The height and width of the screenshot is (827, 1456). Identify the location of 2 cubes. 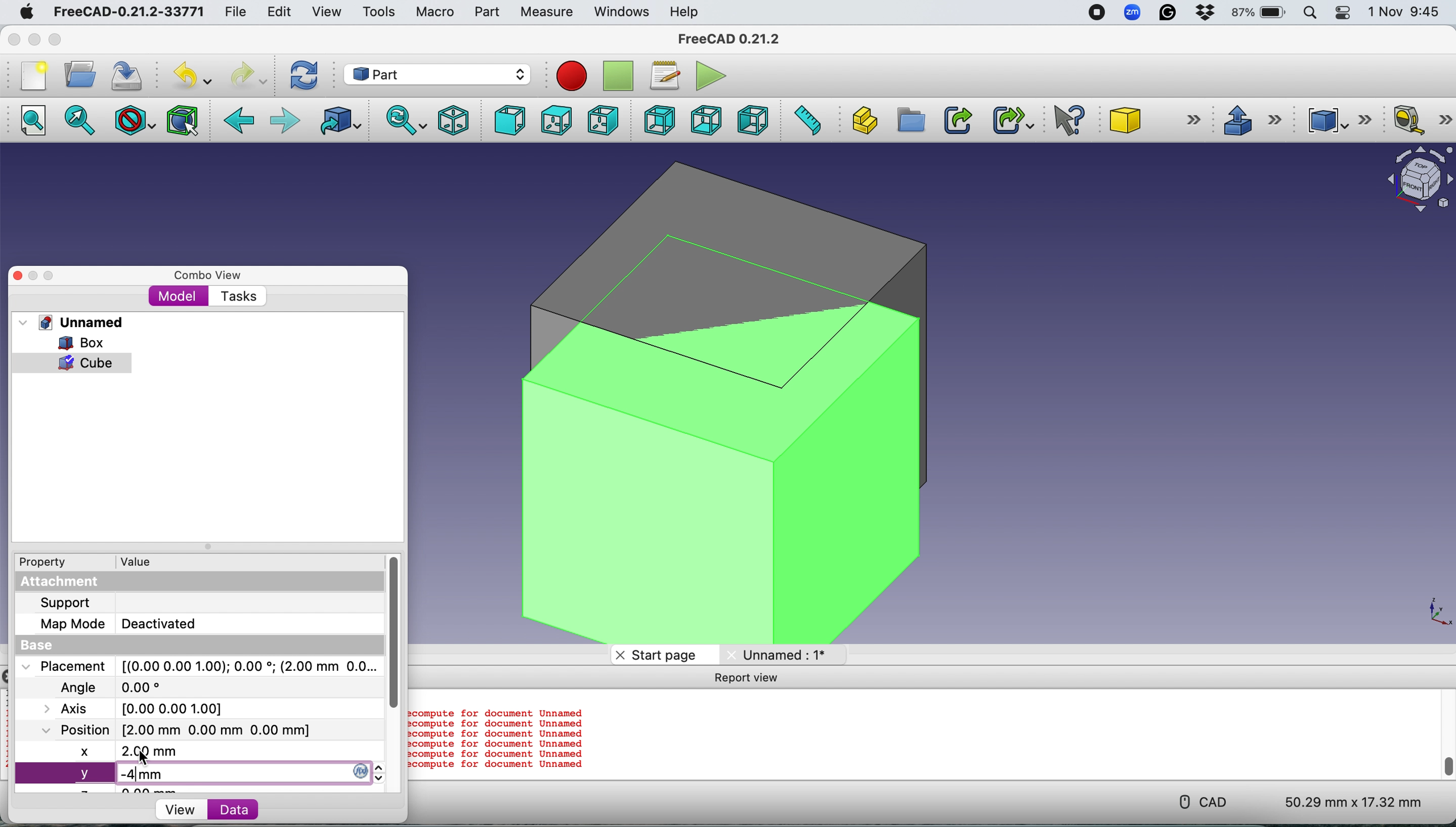
(746, 400).